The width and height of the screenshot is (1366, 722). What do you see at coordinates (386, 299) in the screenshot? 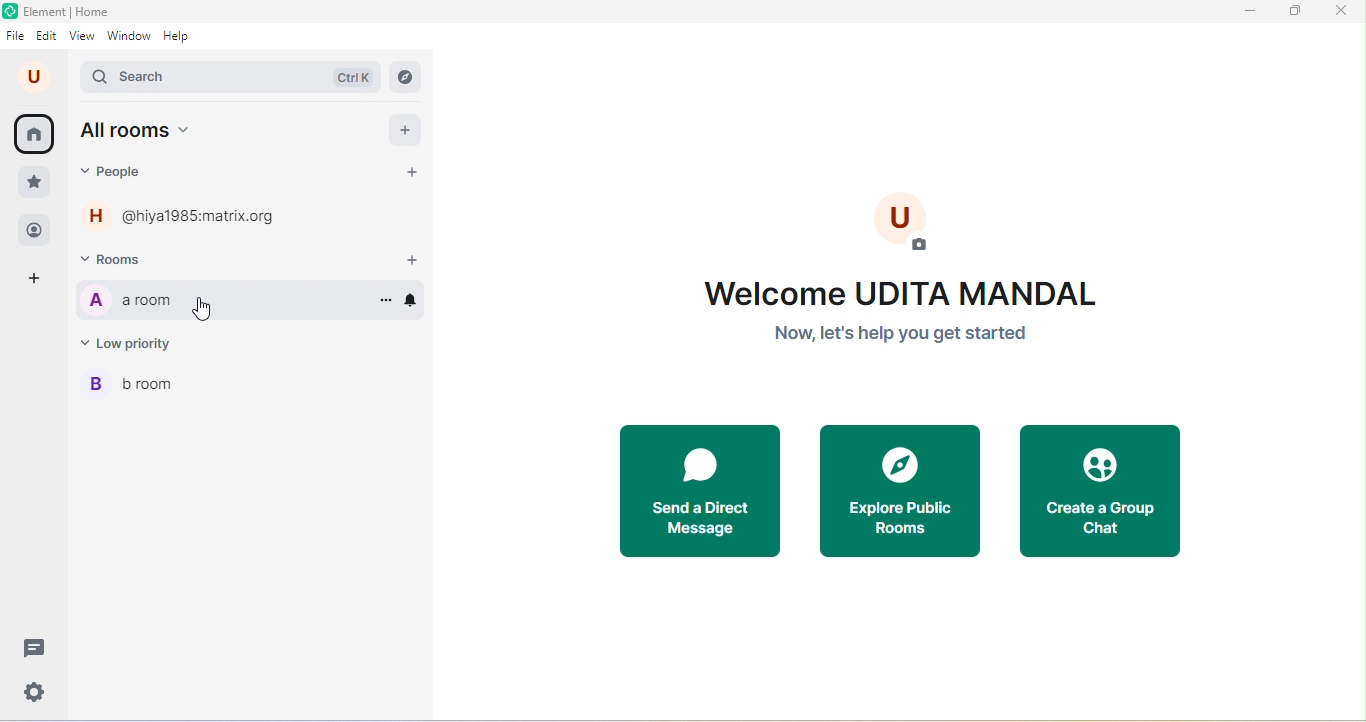
I see `options` at bounding box center [386, 299].